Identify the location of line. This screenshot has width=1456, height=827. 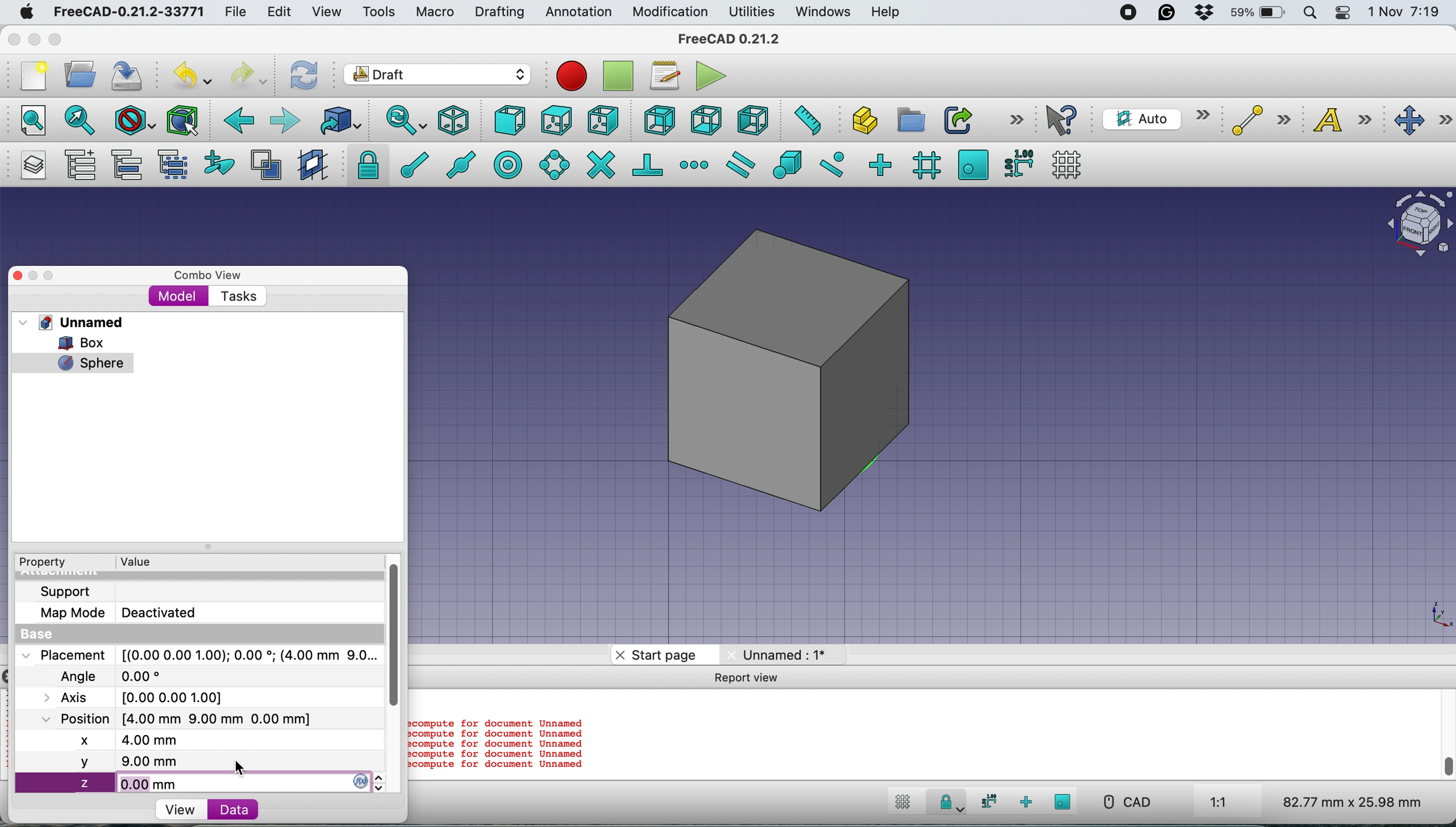
(1258, 120).